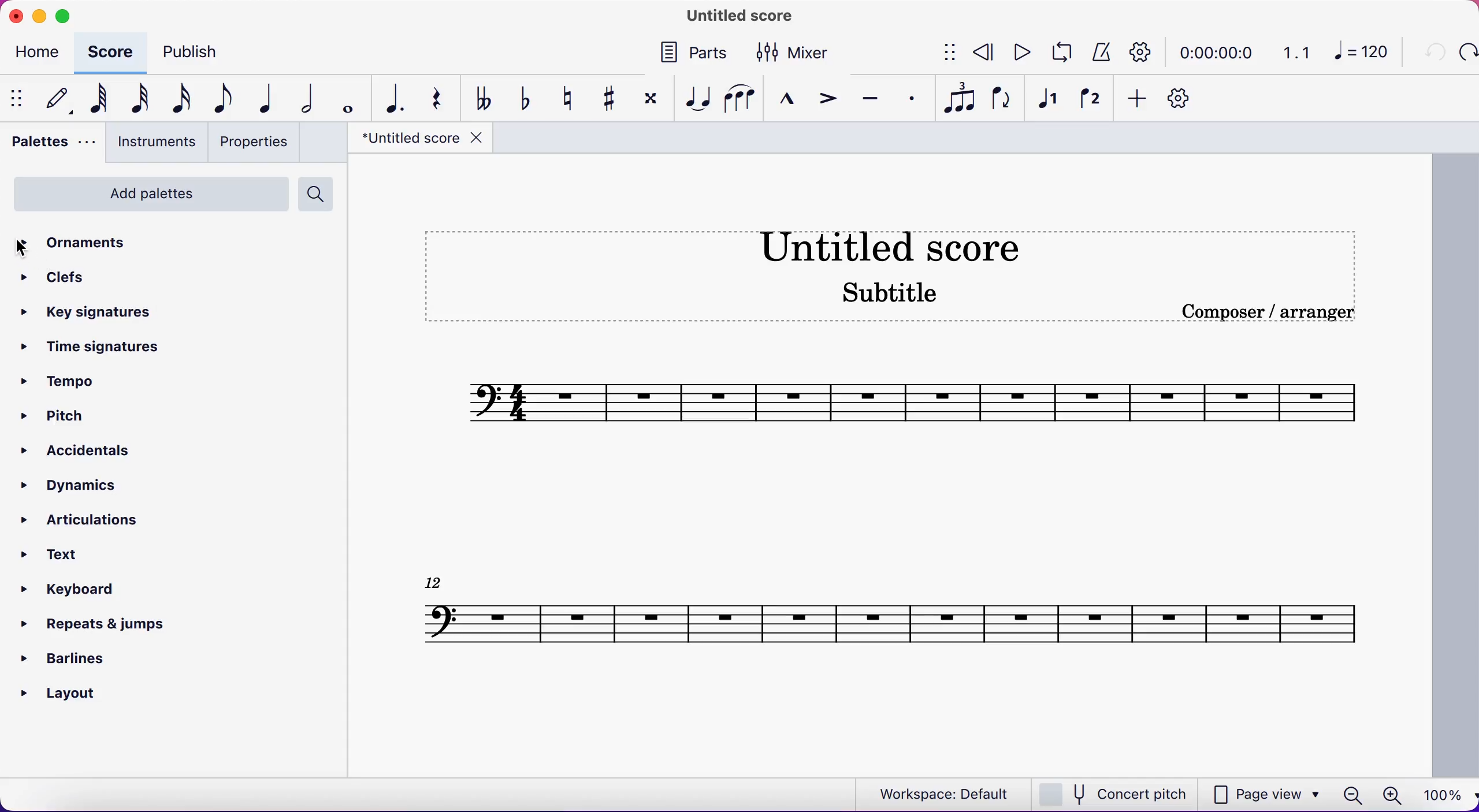  What do you see at coordinates (1298, 52) in the screenshot?
I see `1.1` at bounding box center [1298, 52].